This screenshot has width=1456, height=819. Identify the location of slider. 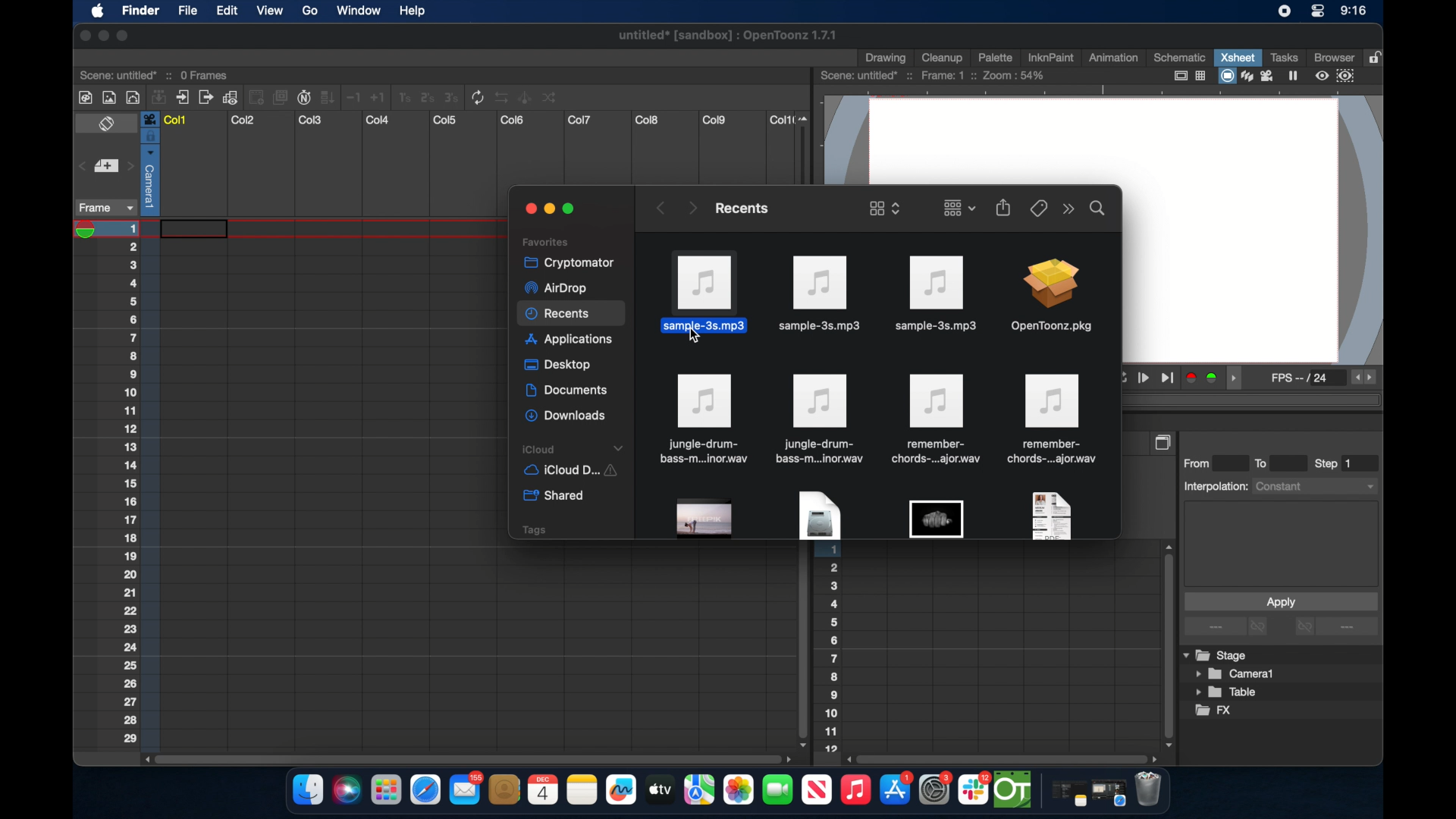
(807, 147).